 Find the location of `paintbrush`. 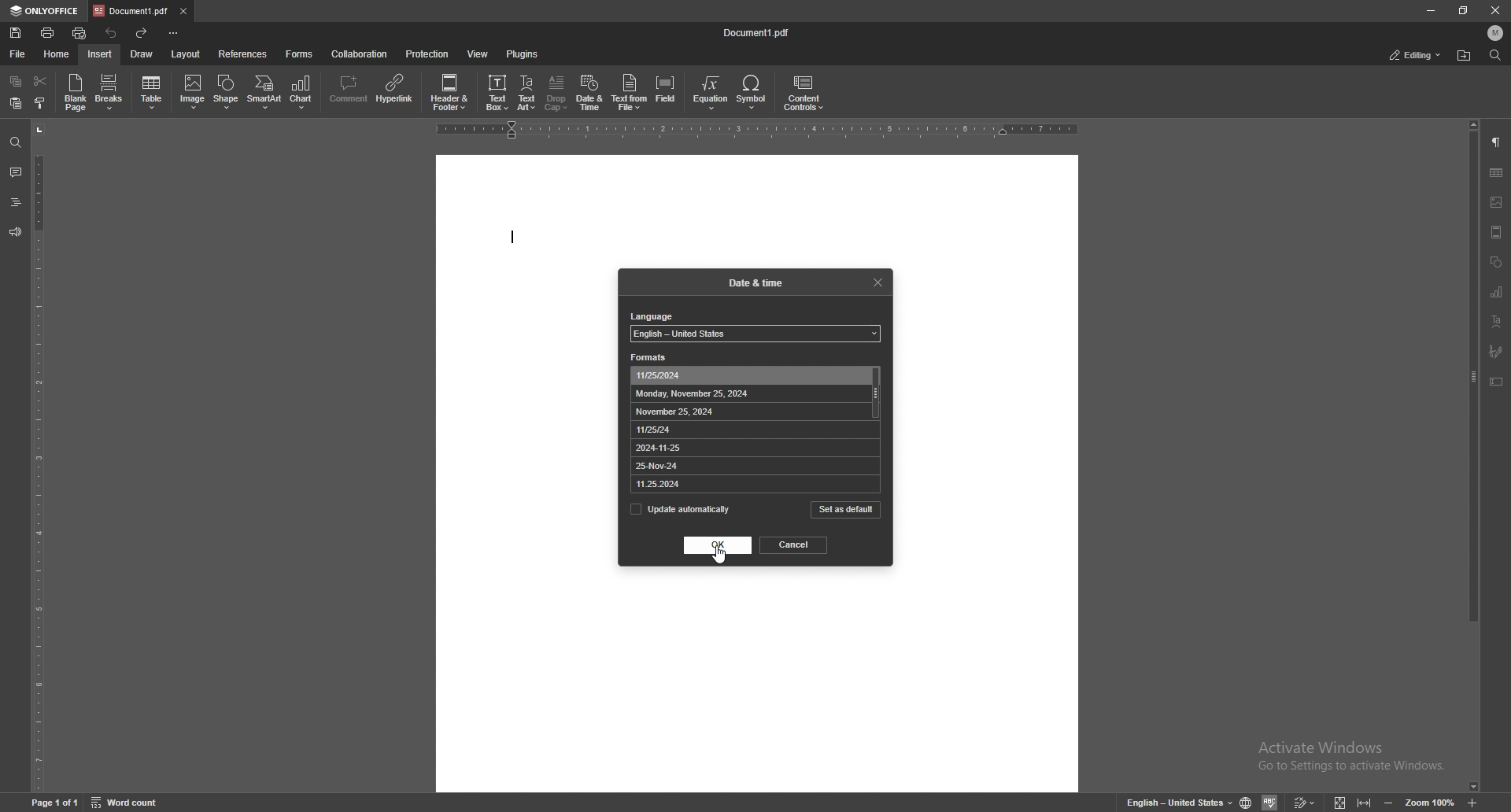

paintbrush is located at coordinates (1498, 350).